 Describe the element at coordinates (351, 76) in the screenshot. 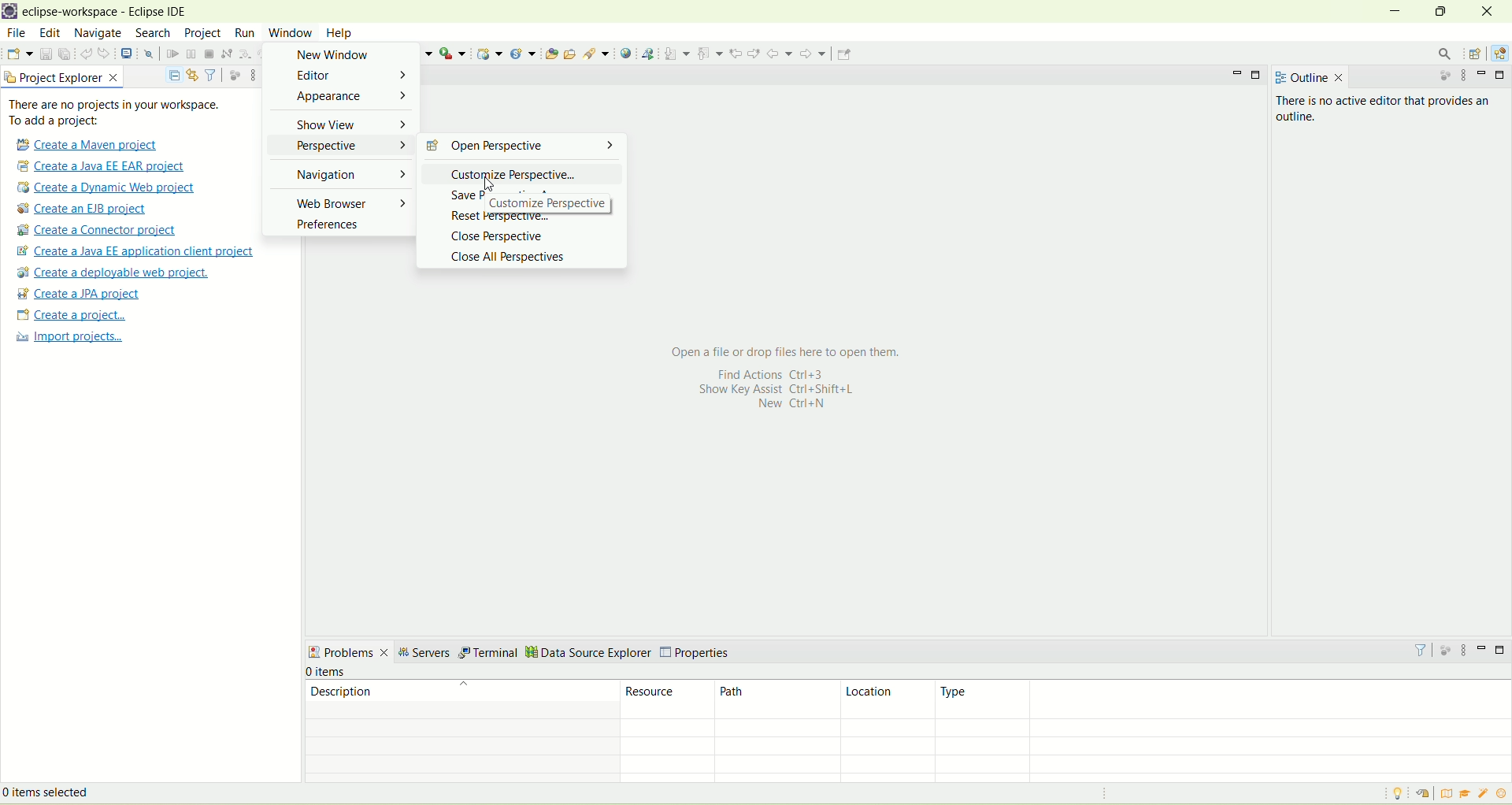

I see `editor` at that location.